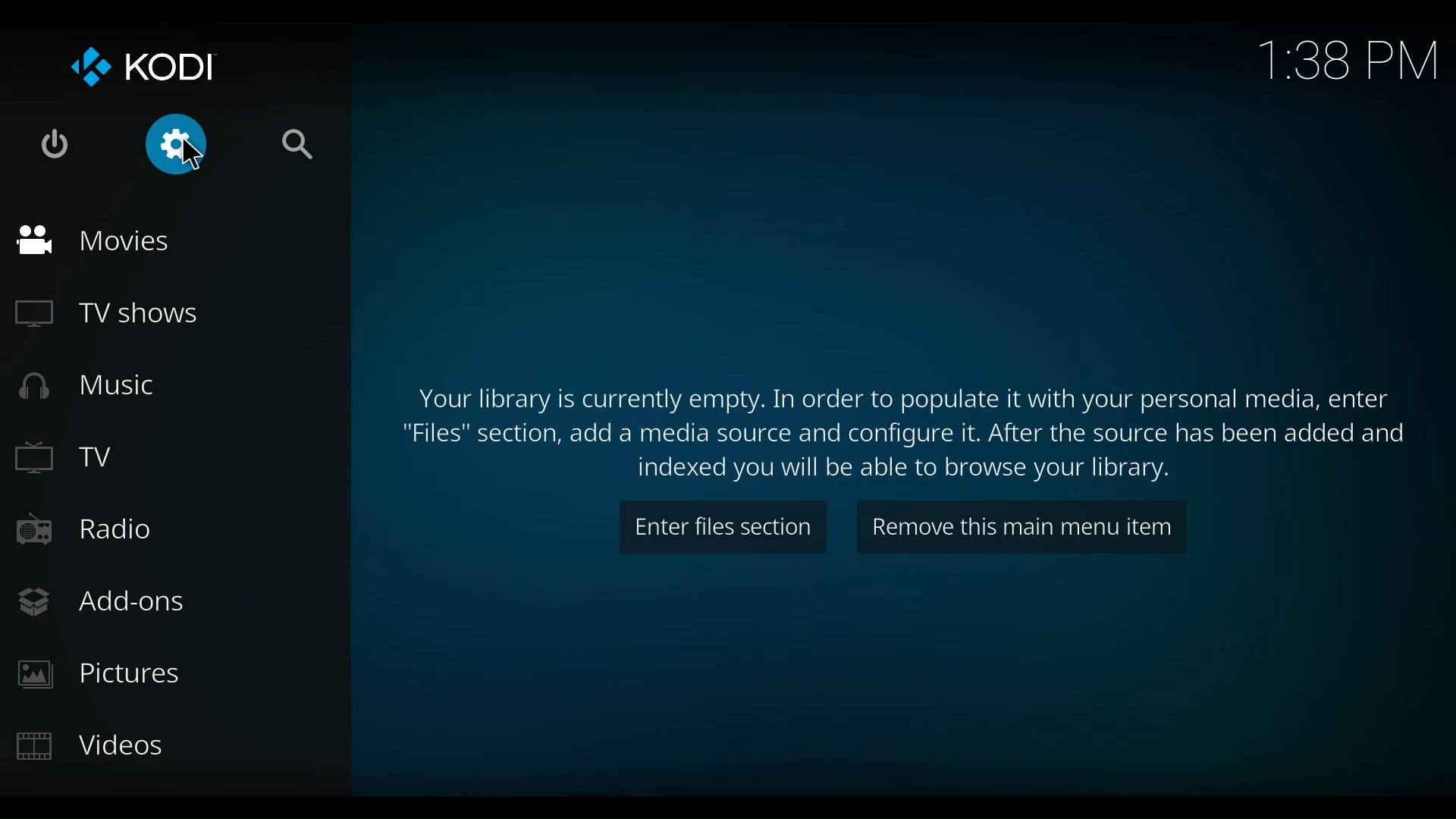 This screenshot has width=1456, height=819. I want to click on Add-ons, so click(105, 604).